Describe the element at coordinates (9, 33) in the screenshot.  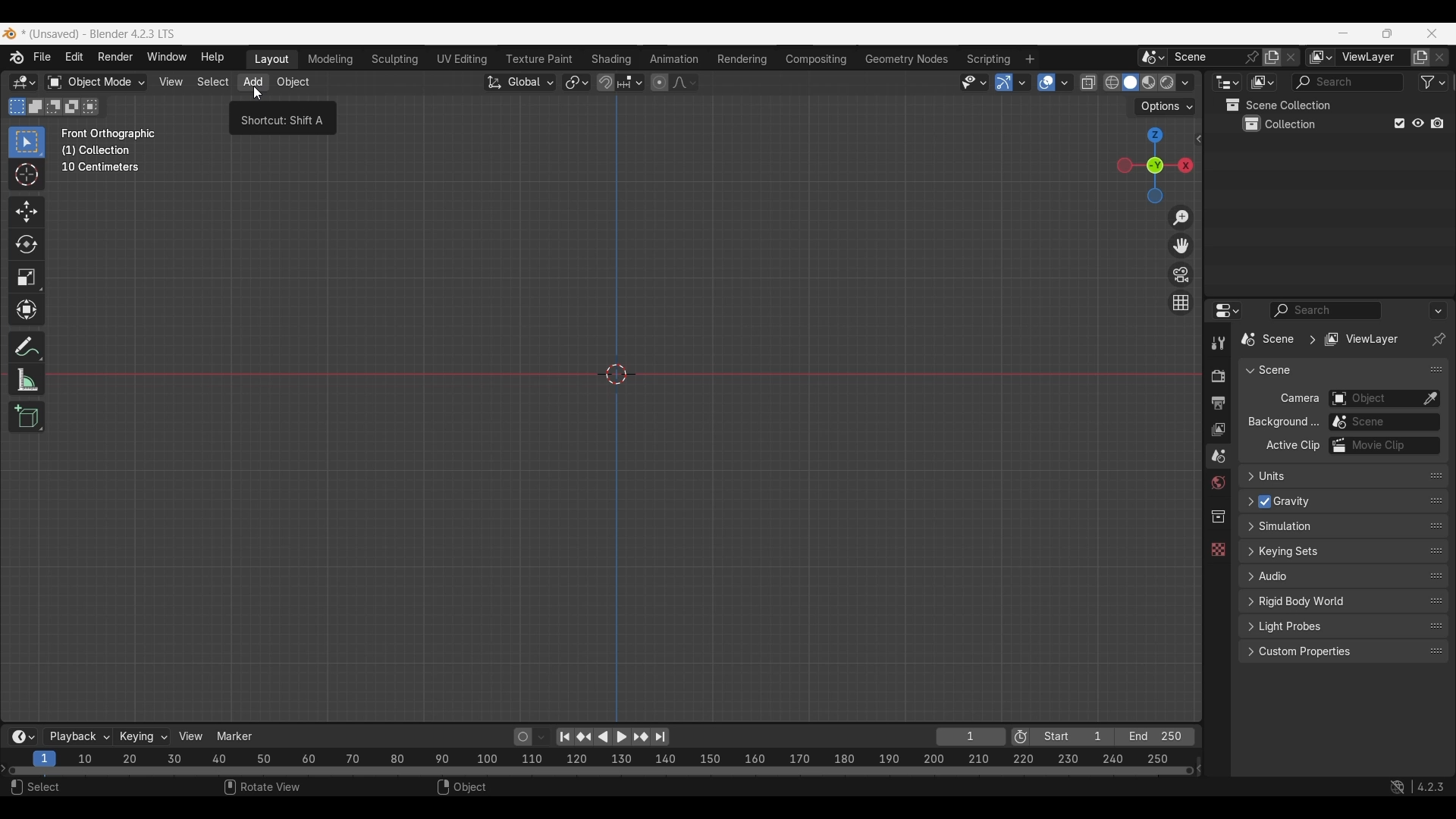
I see `Software logo` at that location.